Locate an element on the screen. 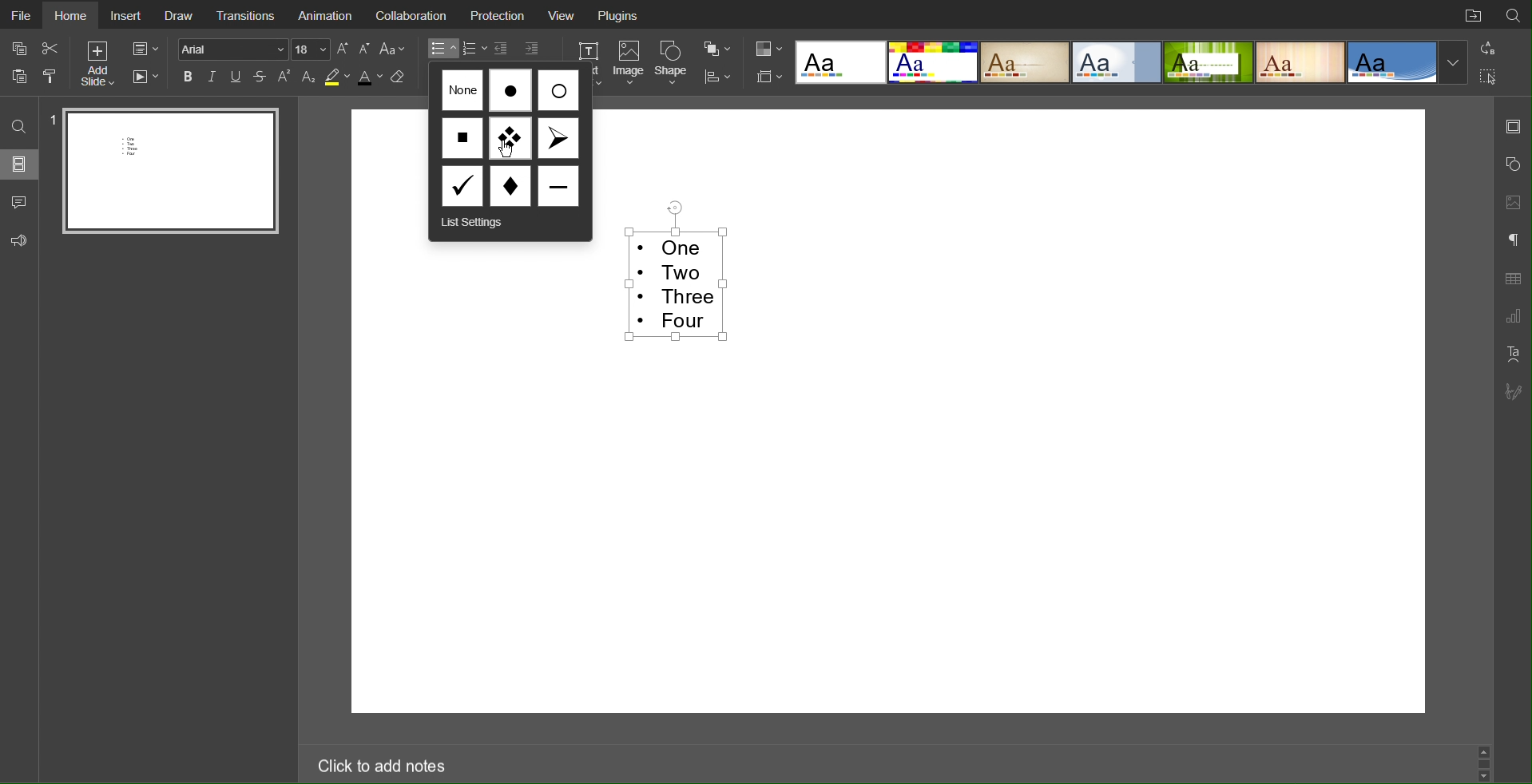  Font Size is located at coordinates (311, 49).